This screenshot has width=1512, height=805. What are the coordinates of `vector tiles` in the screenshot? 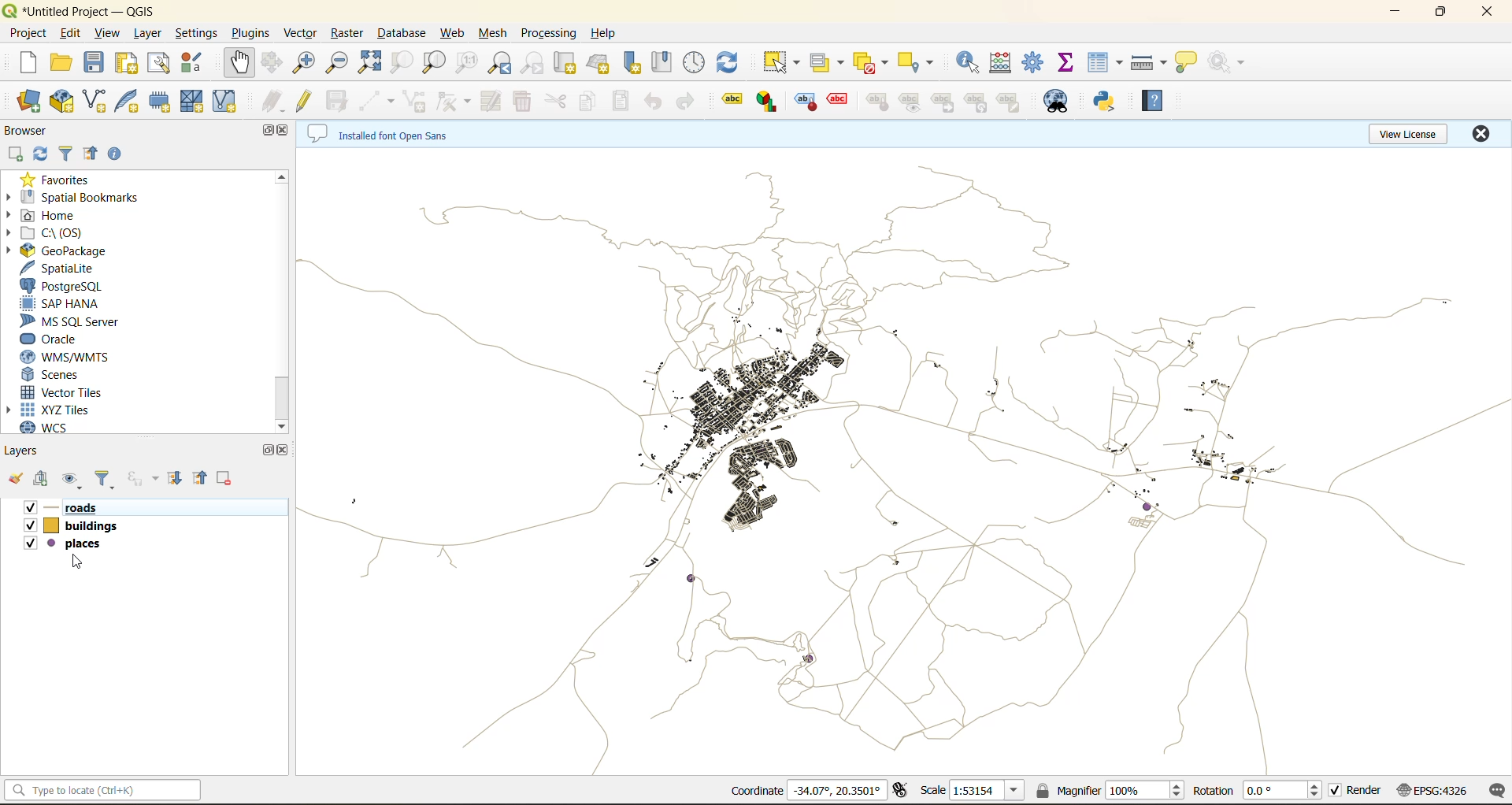 It's located at (85, 392).